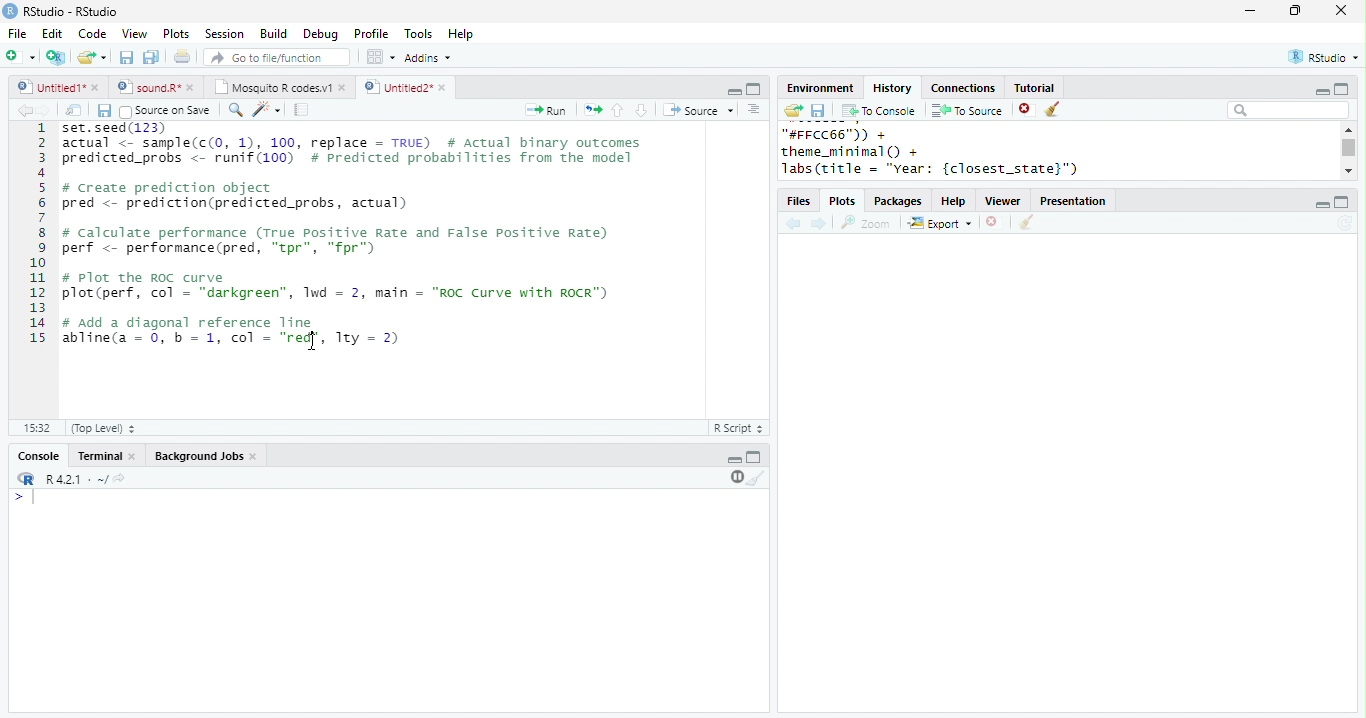  I want to click on forward, so click(820, 225).